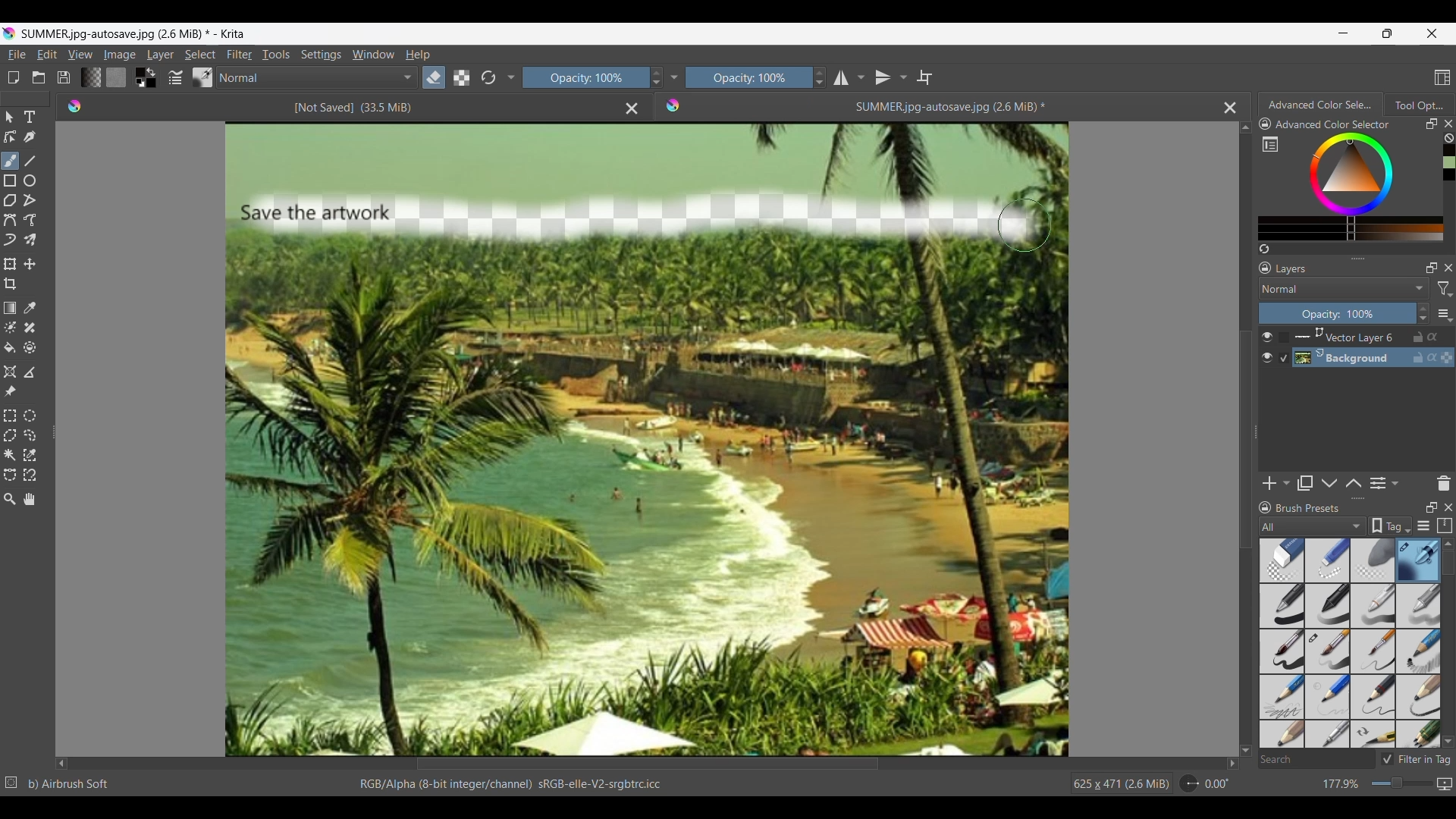 The image size is (1456, 819). Describe the element at coordinates (10, 181) in the screenshot. I see `Rectangle tool` at that location.